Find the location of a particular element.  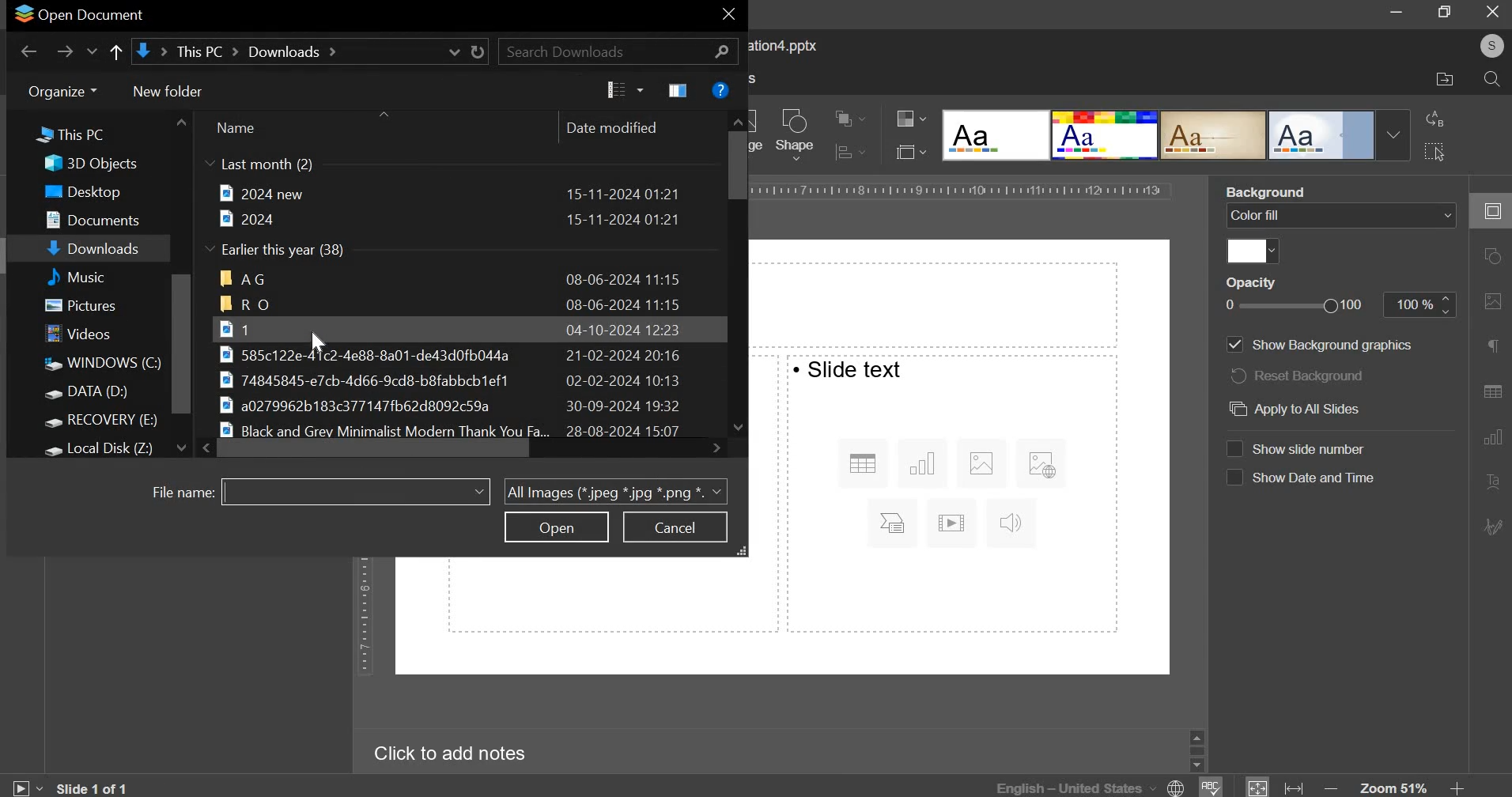

Organize is located at coordinates (61, 91).